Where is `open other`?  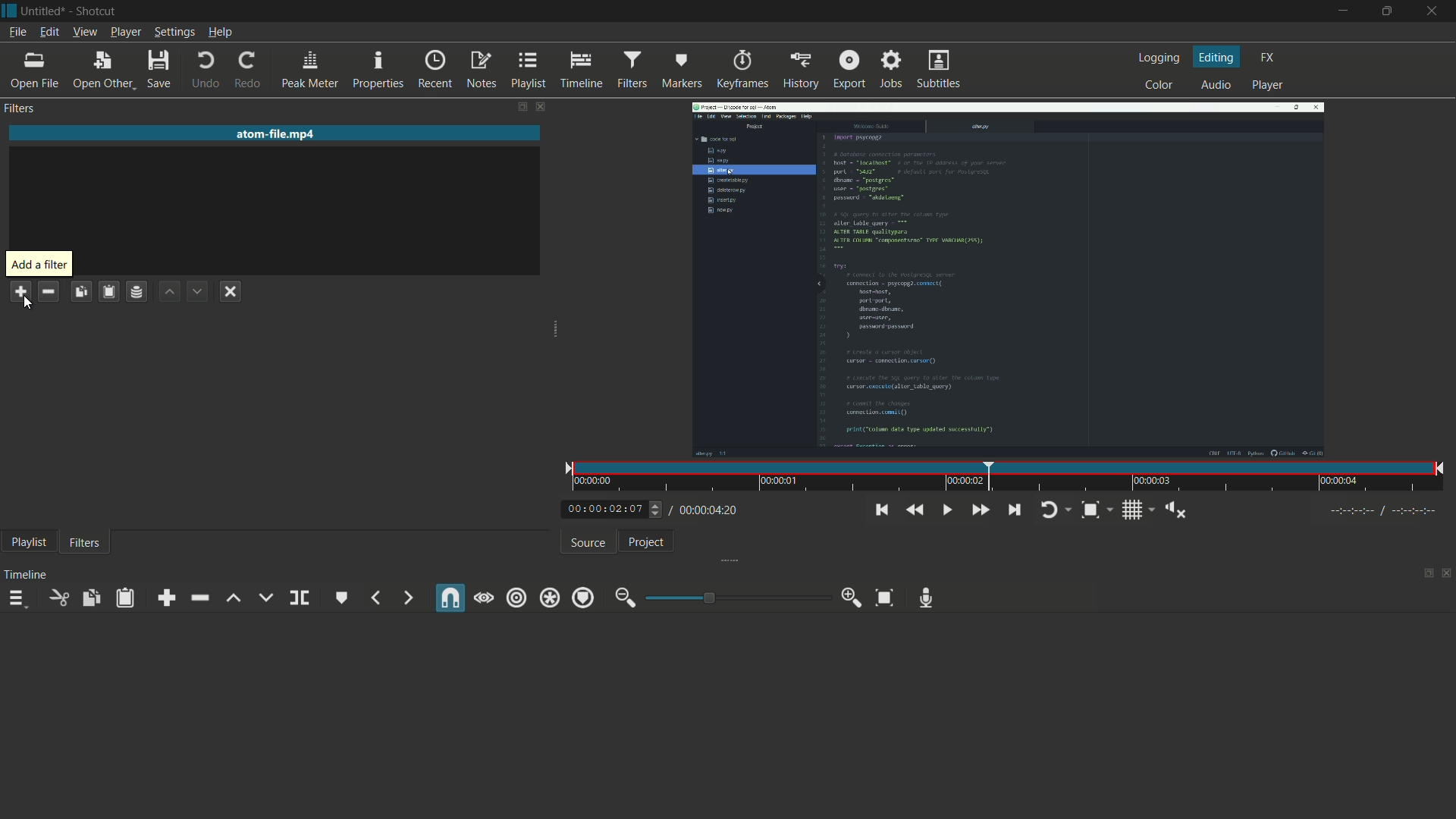 open other is located at coordinates (102, 70).